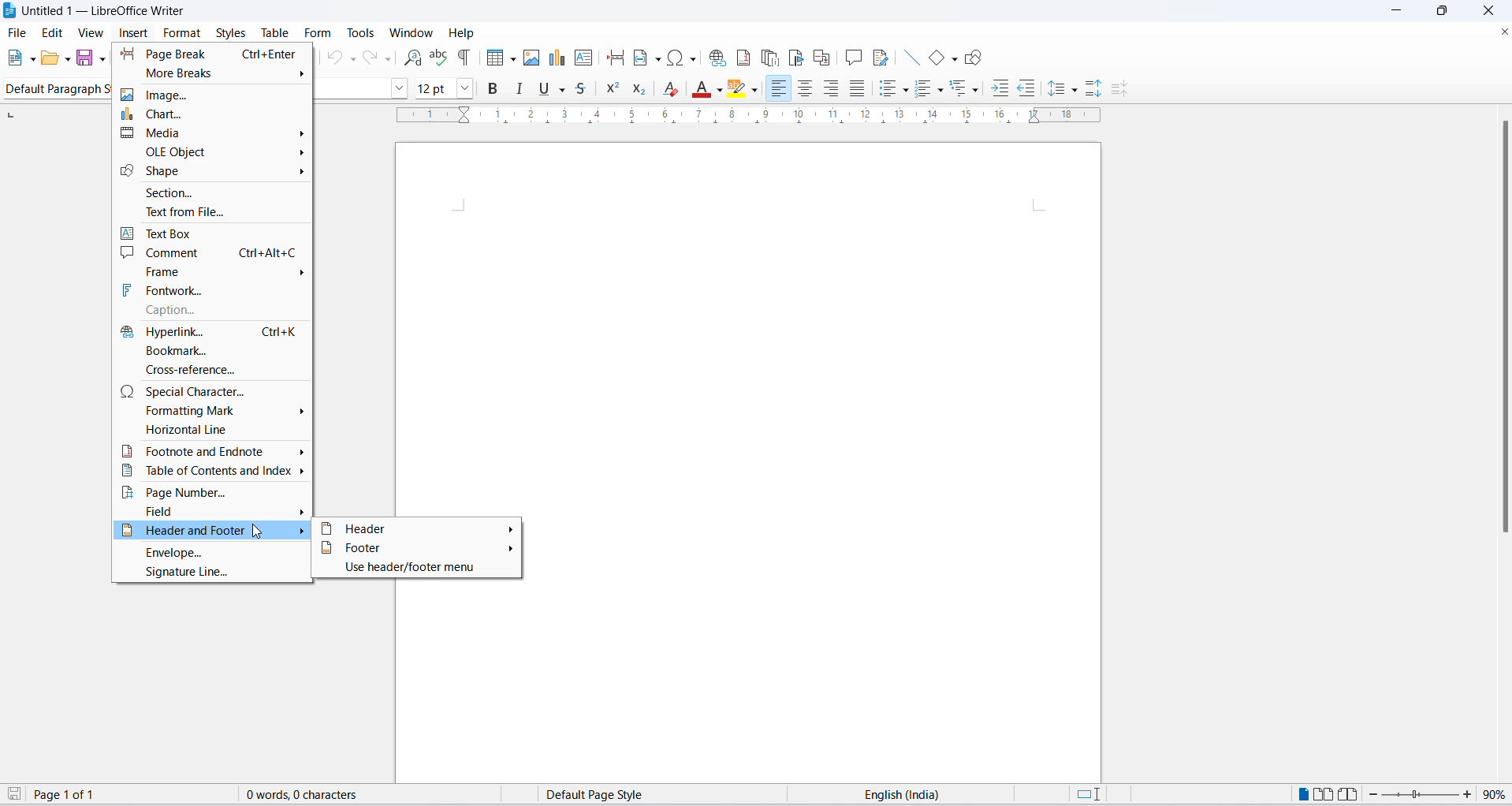  I want to click on text align center, so click(809, 90).